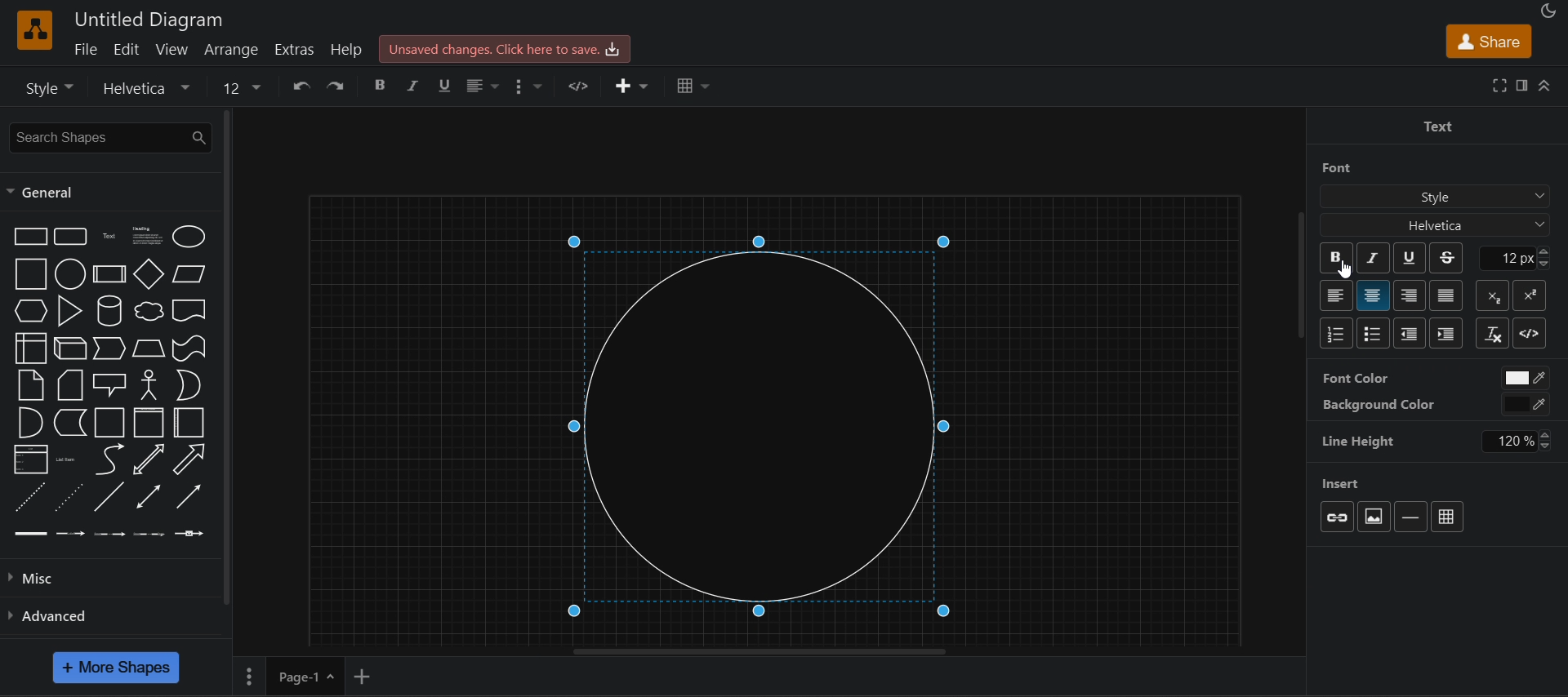  What do you see at coordinates (1347, 274) in the screenshot?
I see `Cursor on bold` at bounding box center [1347, 274].